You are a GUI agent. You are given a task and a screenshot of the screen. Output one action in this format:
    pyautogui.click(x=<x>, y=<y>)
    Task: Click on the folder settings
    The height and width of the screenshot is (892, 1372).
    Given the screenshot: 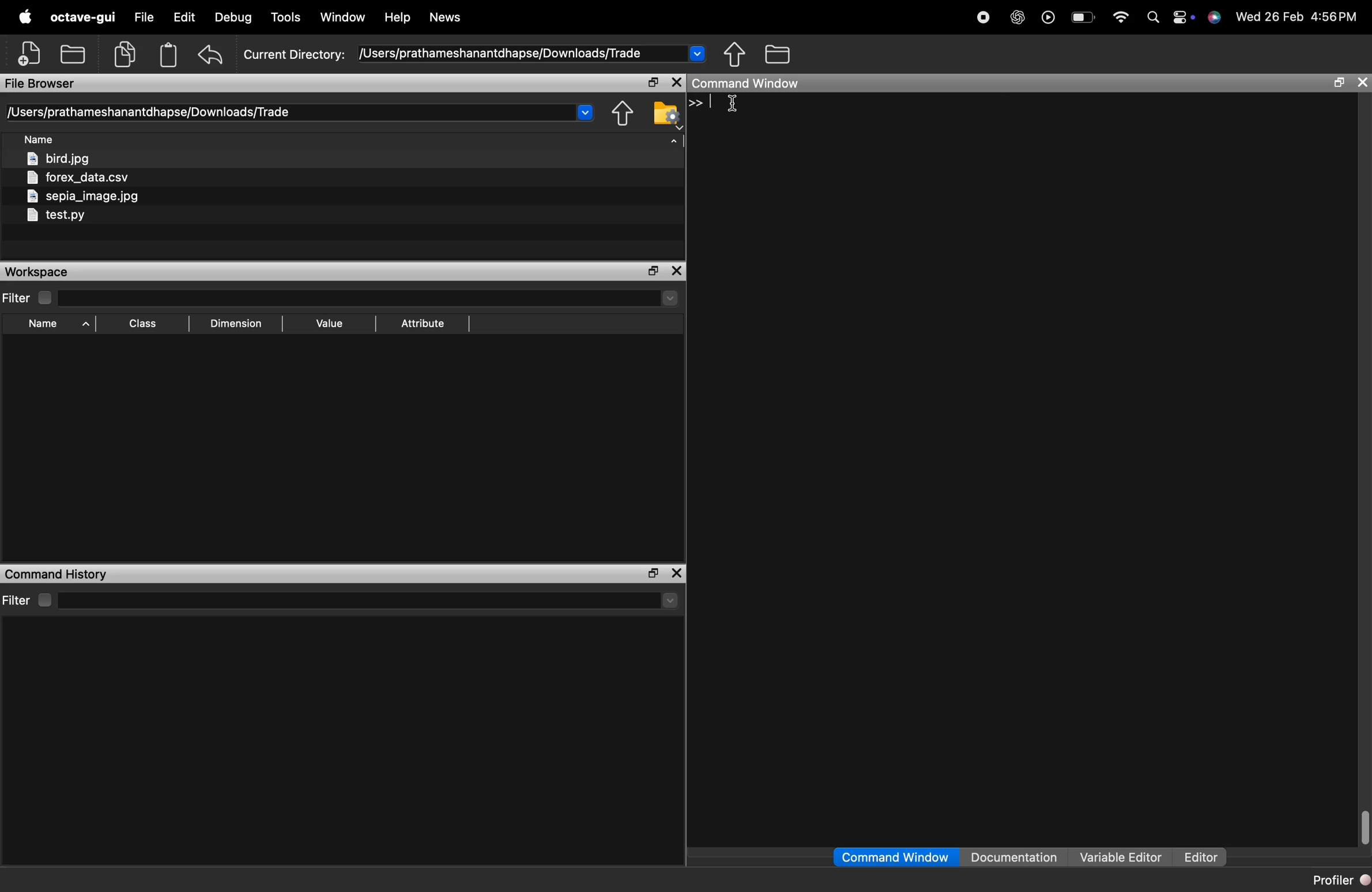 What is the action you would take?
    pyautogui.click(x=668, y=114)
    